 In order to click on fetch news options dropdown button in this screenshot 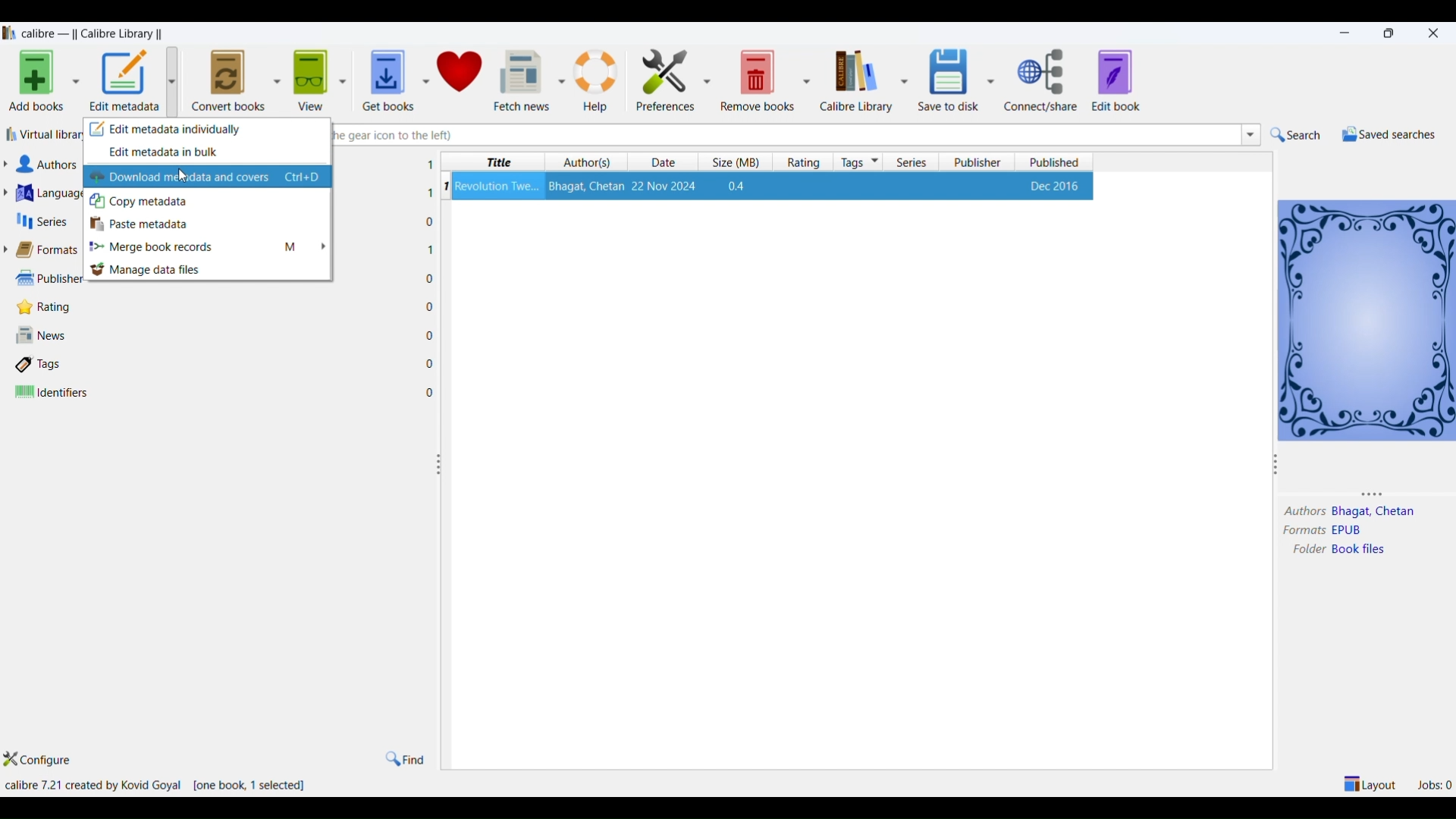, I will do `click(561, 80)`.